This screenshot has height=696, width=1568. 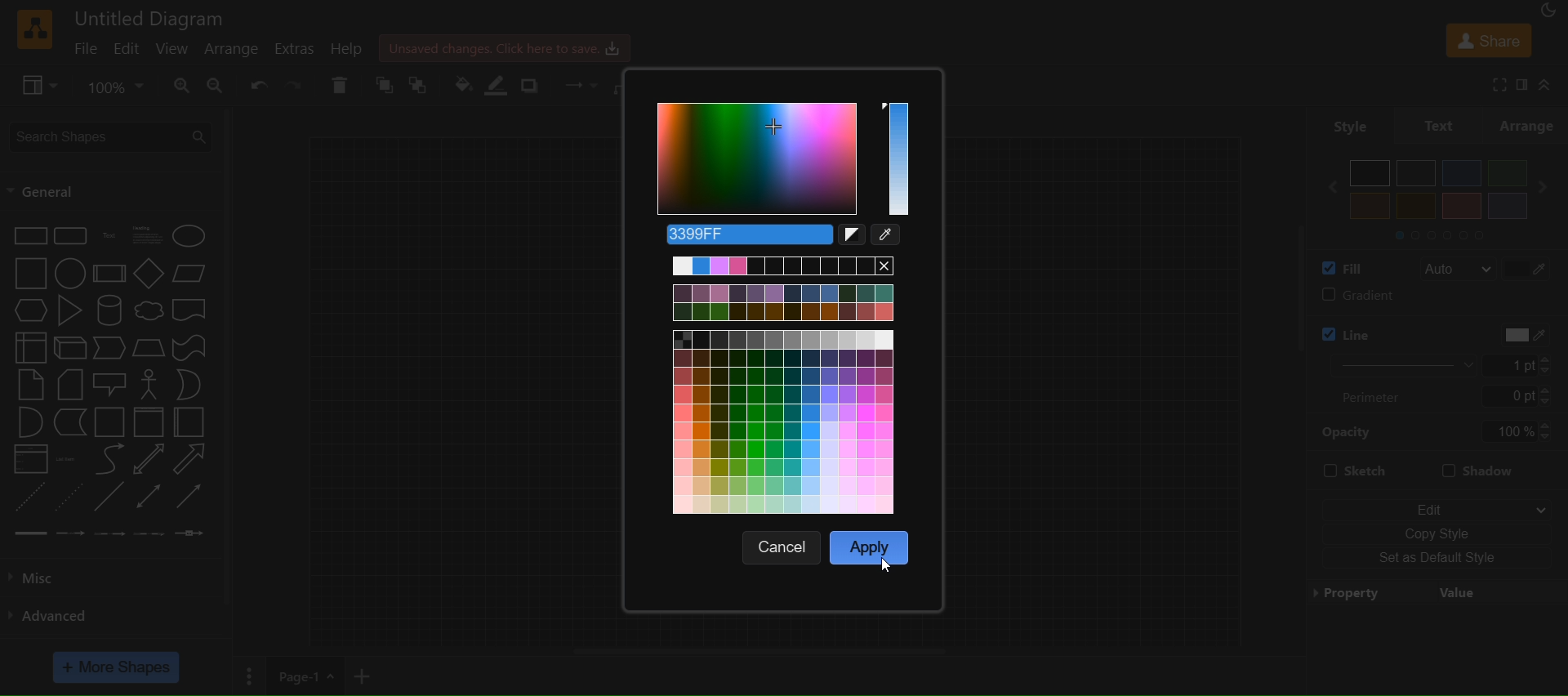 What do you see at coordinates (26, 496) in the screenshot?
I see `dashed line` at bounding box center [26, 496].